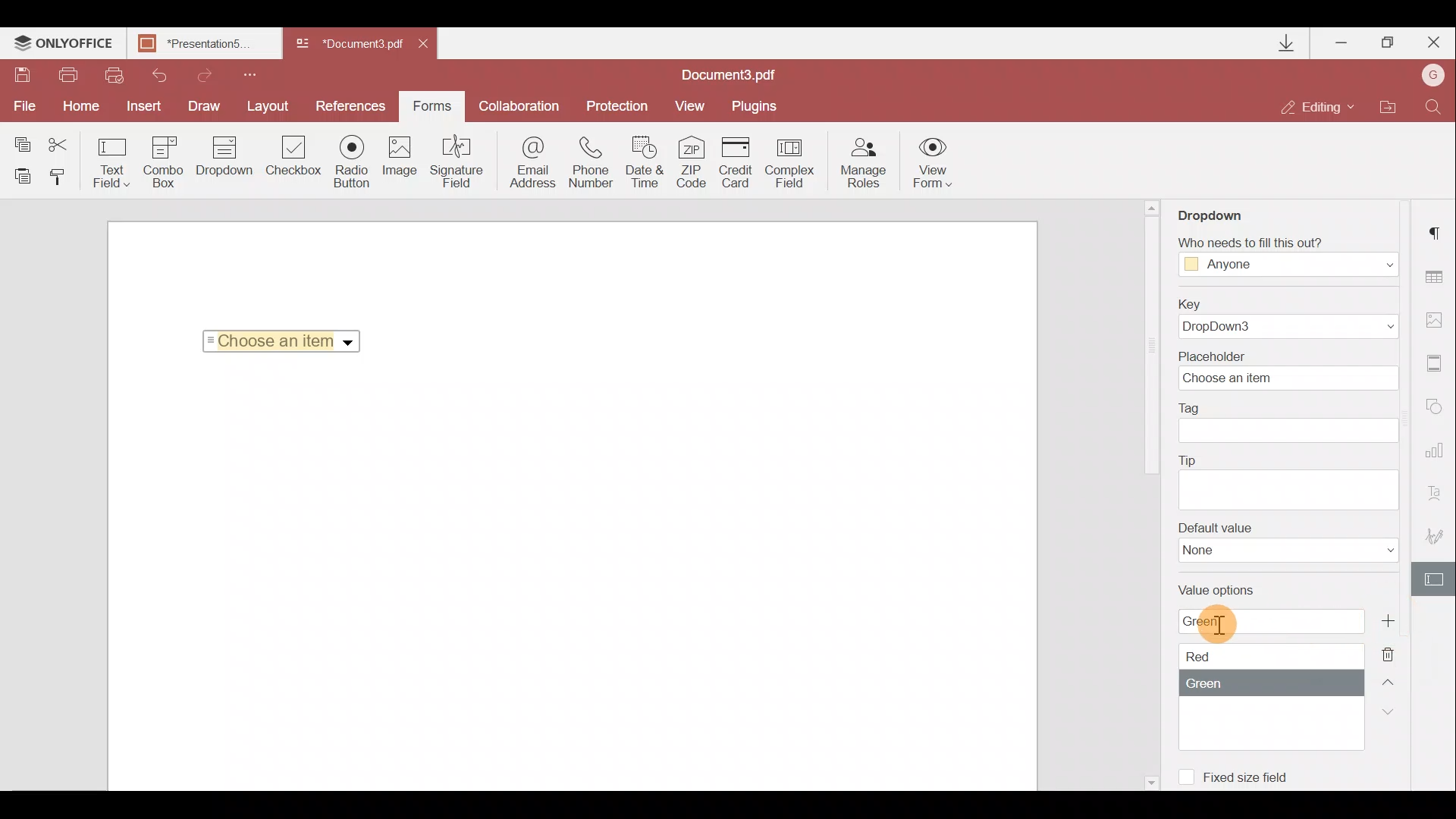 This screenshot has width=1456, height=819. What do you see at coordinates (1213, 622) in the screenshot?
I see `Cursor` at bounding box center [1213, 622].